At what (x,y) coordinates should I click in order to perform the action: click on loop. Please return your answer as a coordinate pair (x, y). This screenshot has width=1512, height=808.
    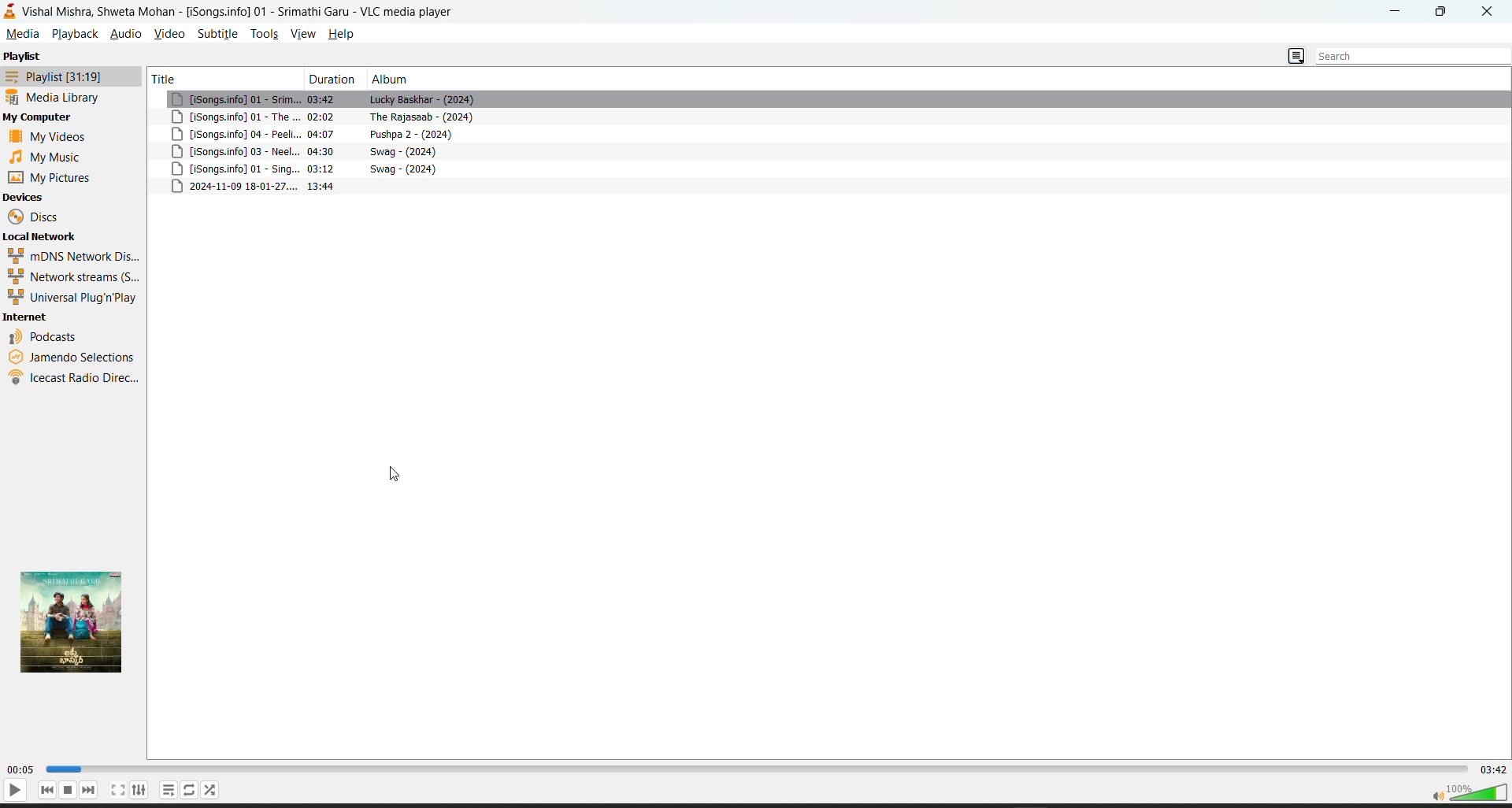
    Looking at the image, I should click on (191, 791).